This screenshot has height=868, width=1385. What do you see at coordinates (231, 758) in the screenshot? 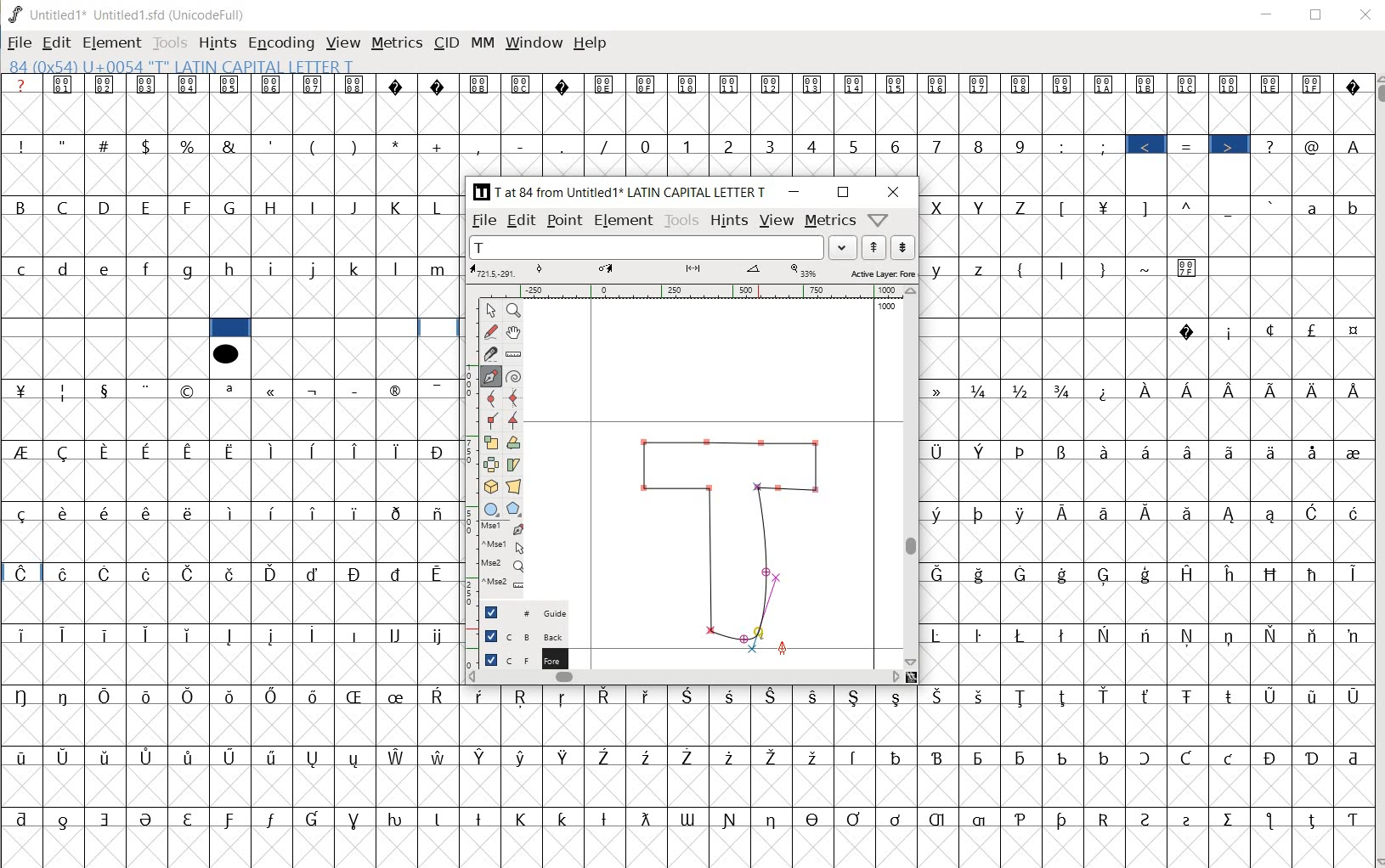
I see `Symbol` at bounding box center [231, 758].